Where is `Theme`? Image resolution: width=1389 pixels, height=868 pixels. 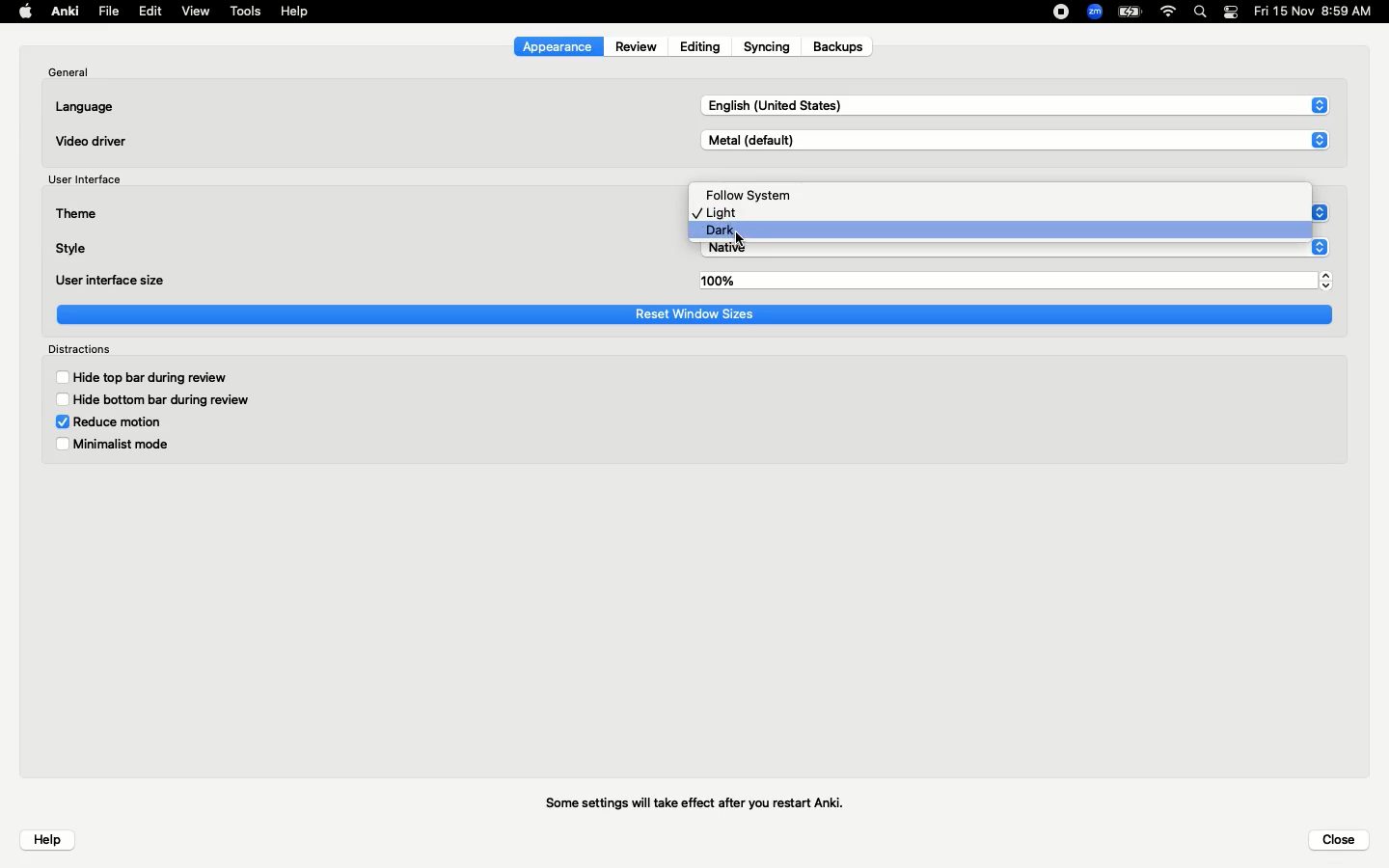 Theme is located at coordinates (78, 214).